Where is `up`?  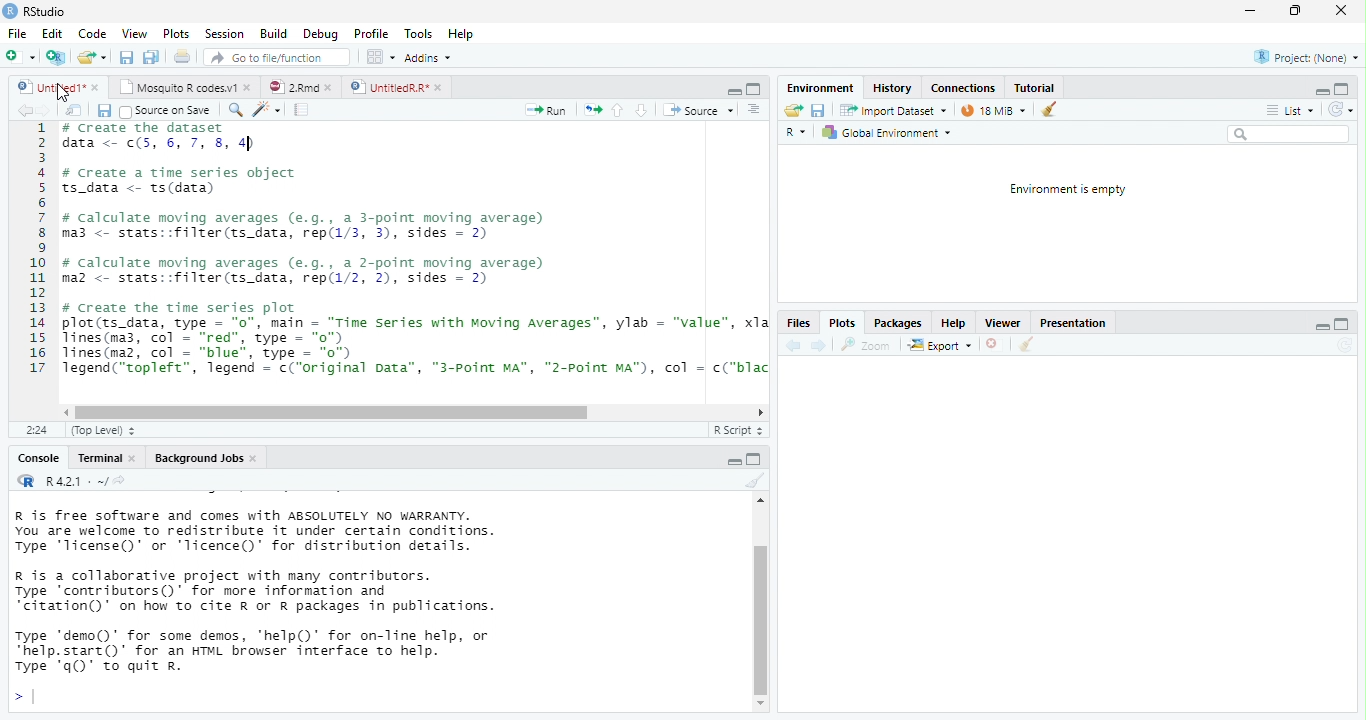 up is located at coordinates (618, 110).